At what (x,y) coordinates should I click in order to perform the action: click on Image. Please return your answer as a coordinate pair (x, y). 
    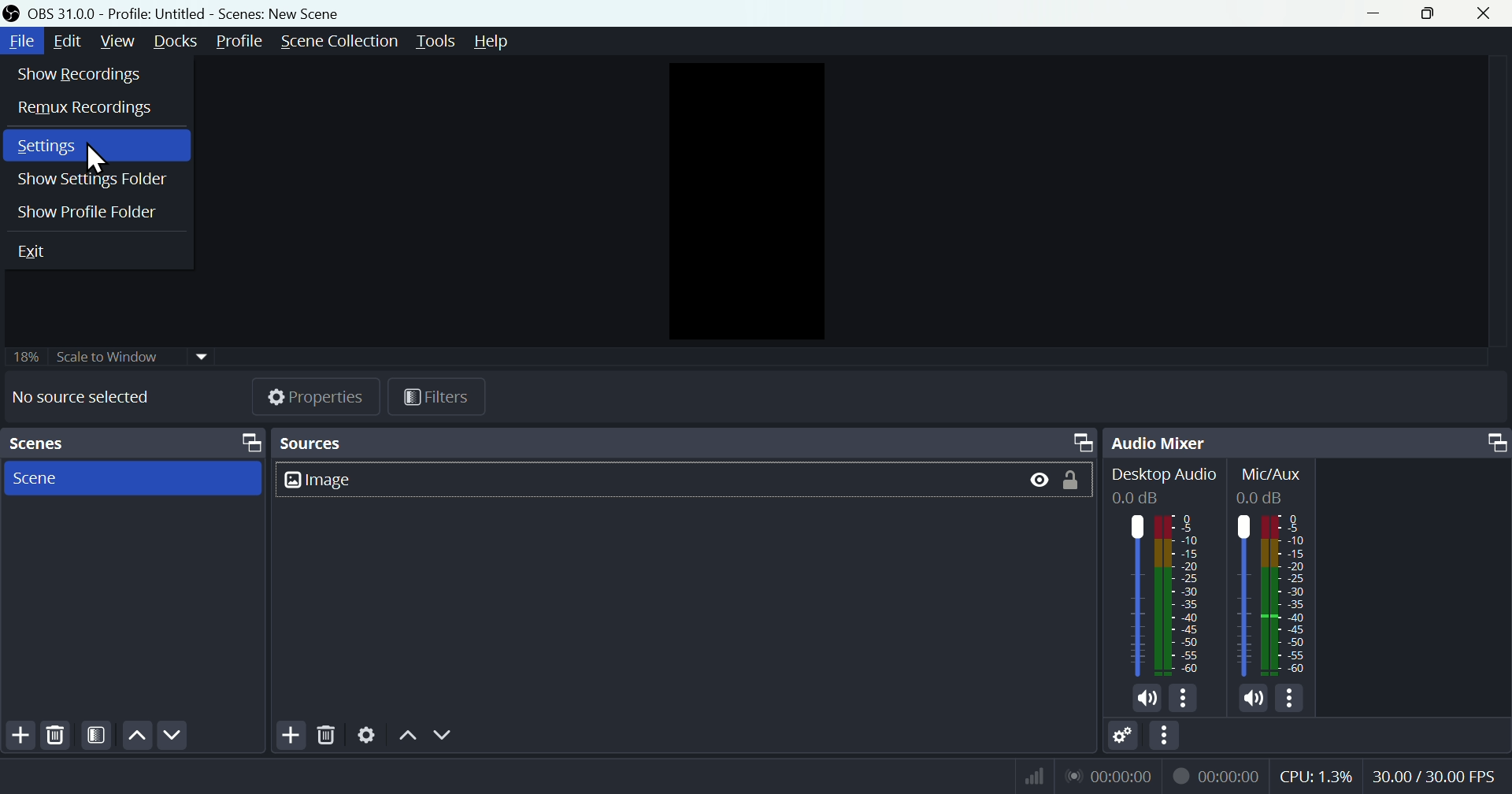
    Looking at the image, I should click on (343, 480).